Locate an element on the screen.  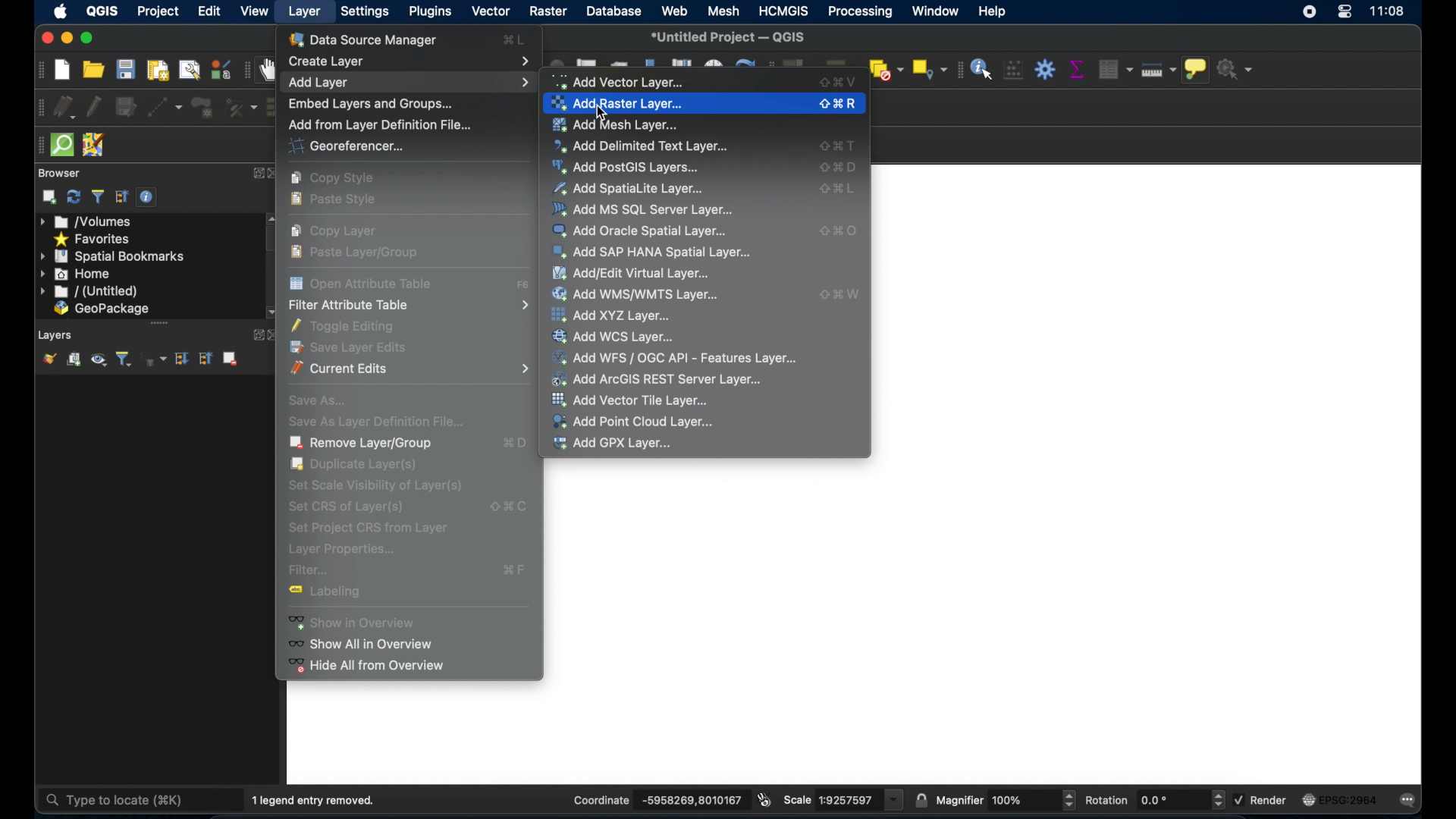
add raster layer is located at coordinates (840, 104).